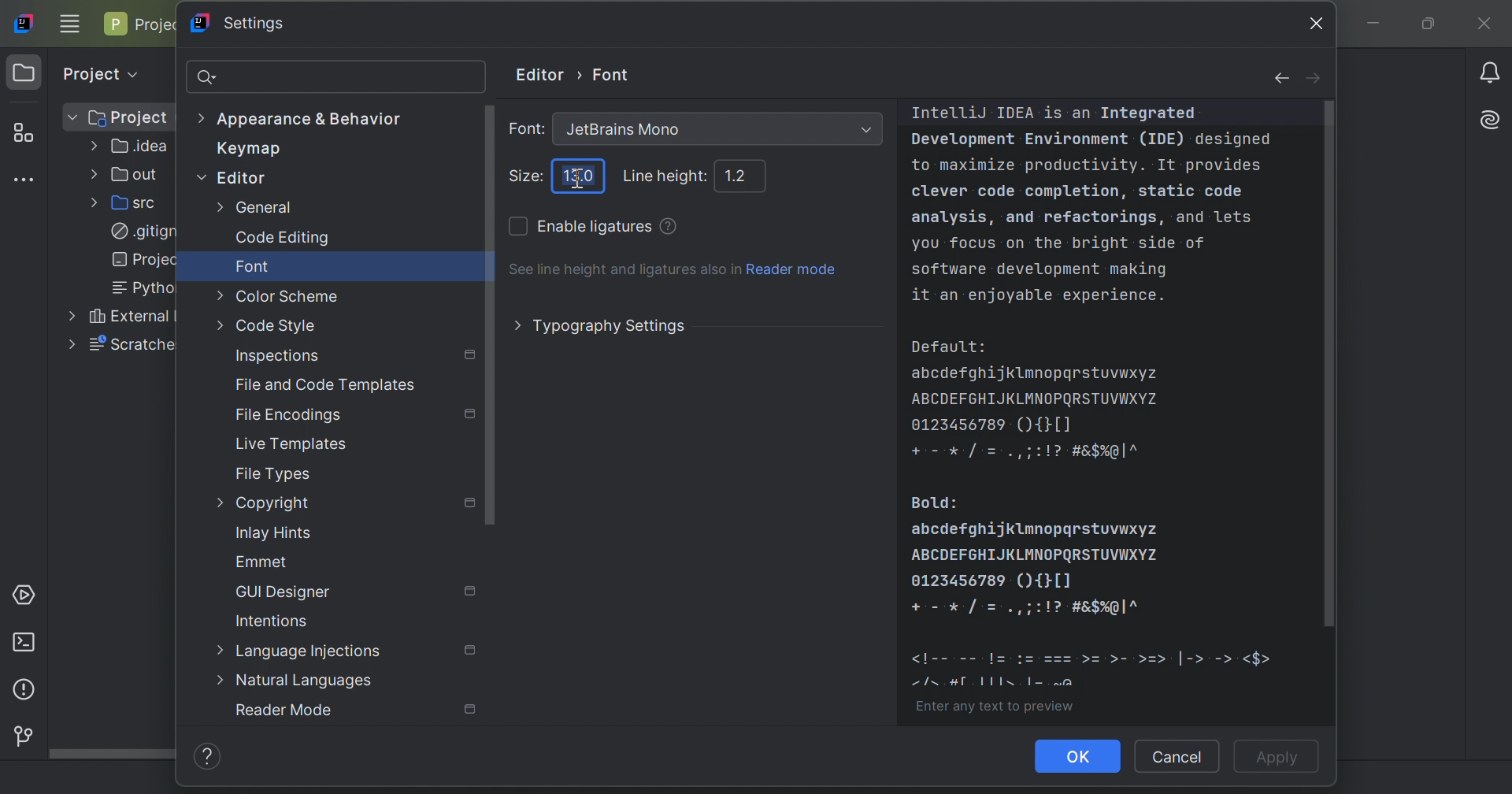  Describe the element at coordinates (231, 176) in the screenshot. I see `Editor` at that location.